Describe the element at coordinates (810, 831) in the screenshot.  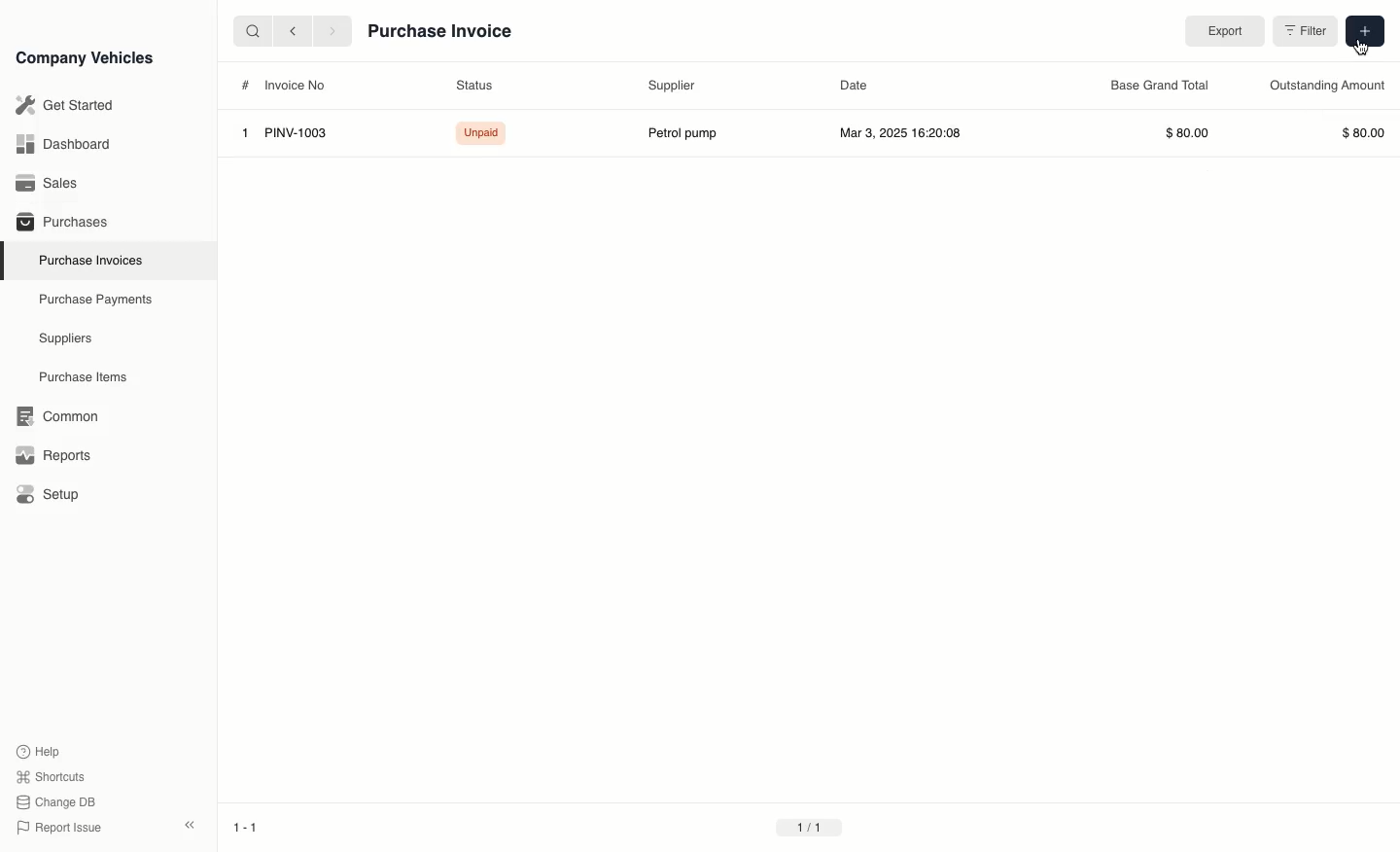
I see `1/1` at that location.